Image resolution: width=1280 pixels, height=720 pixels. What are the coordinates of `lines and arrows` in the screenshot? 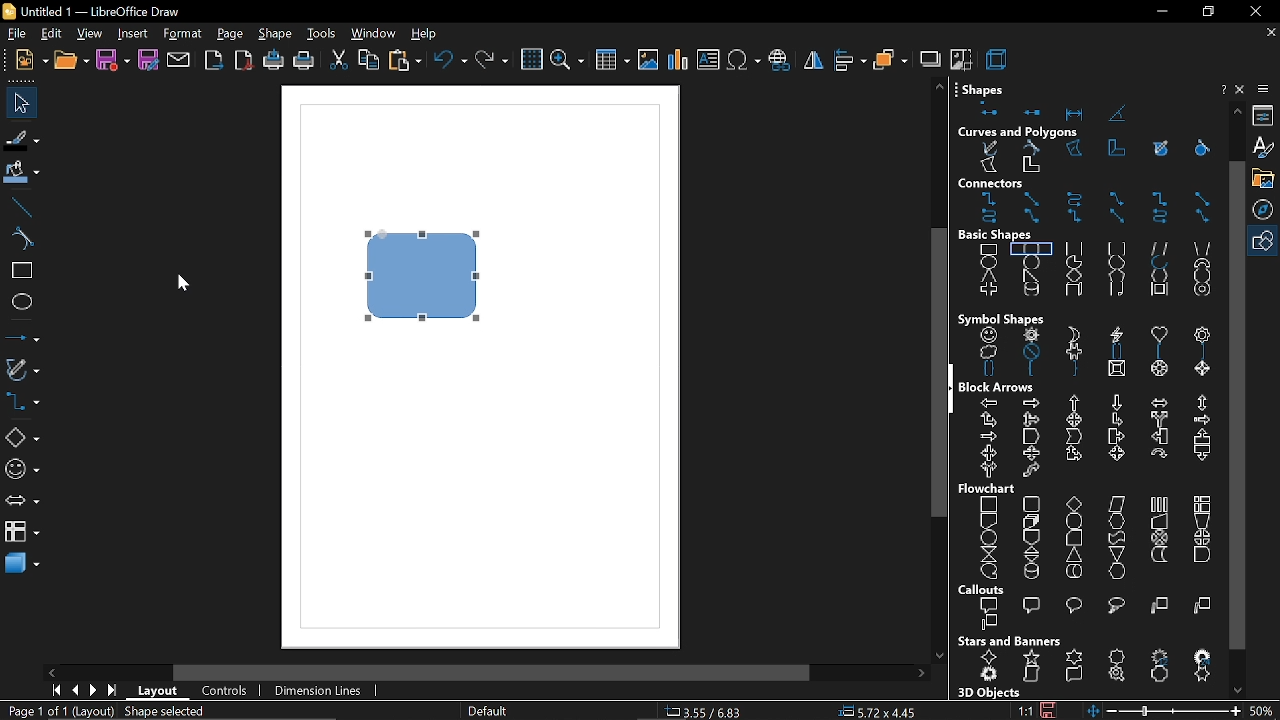 It's located at (23, 337).